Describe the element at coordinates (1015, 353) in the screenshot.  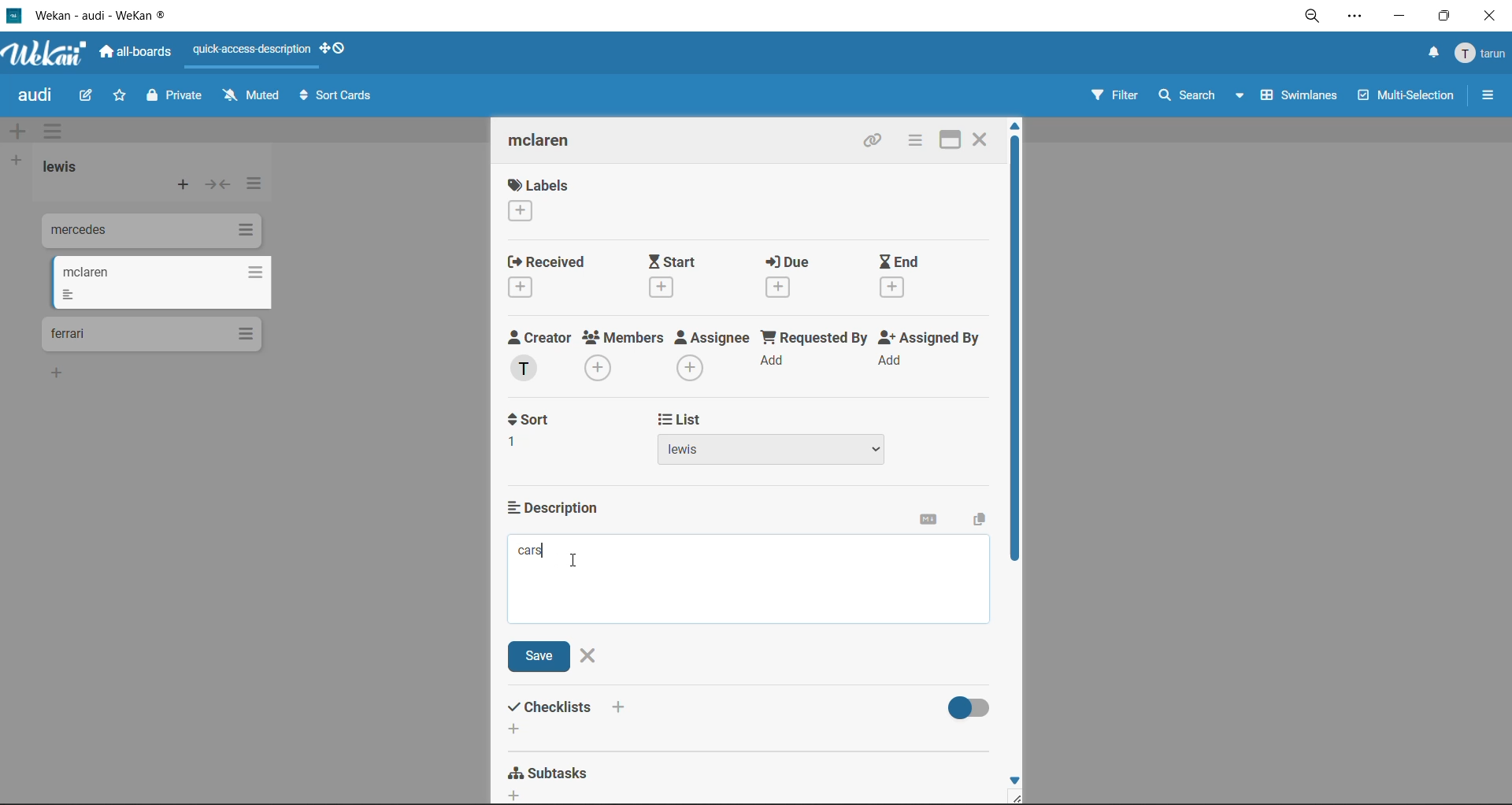
I see `vertical scroll bar` at that location.